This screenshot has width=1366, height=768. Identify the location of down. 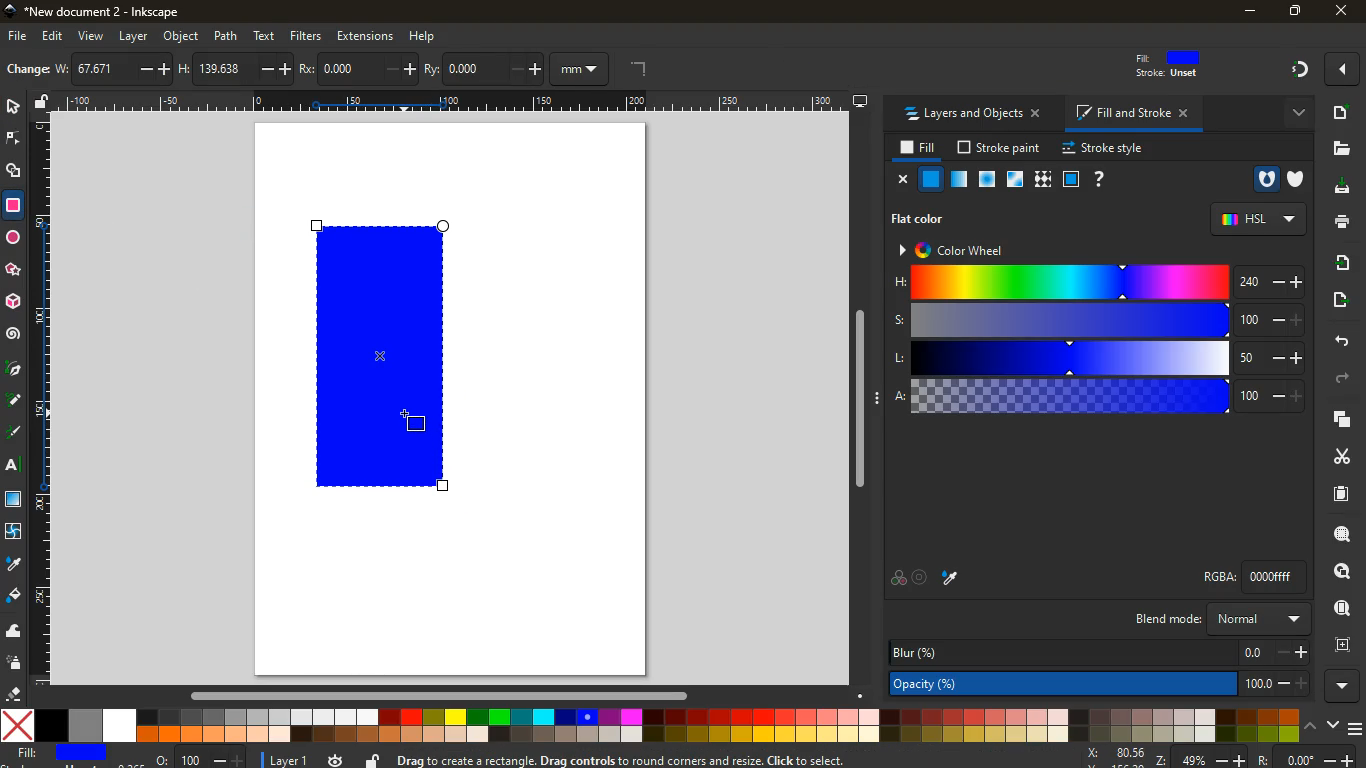
(1332, 726).